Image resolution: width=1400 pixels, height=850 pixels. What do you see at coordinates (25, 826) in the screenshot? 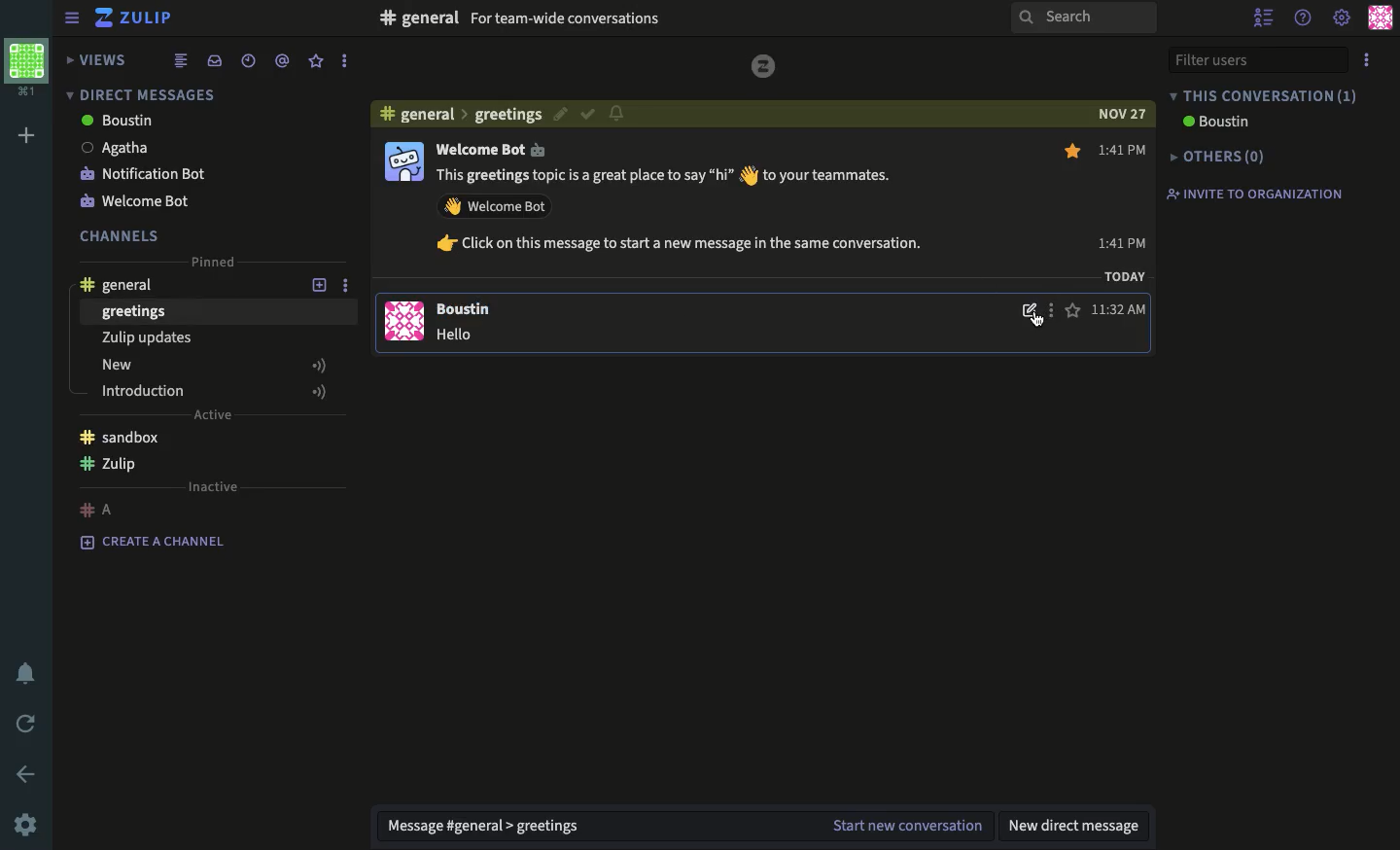
I see `settings` at bounding box center [25, 826].